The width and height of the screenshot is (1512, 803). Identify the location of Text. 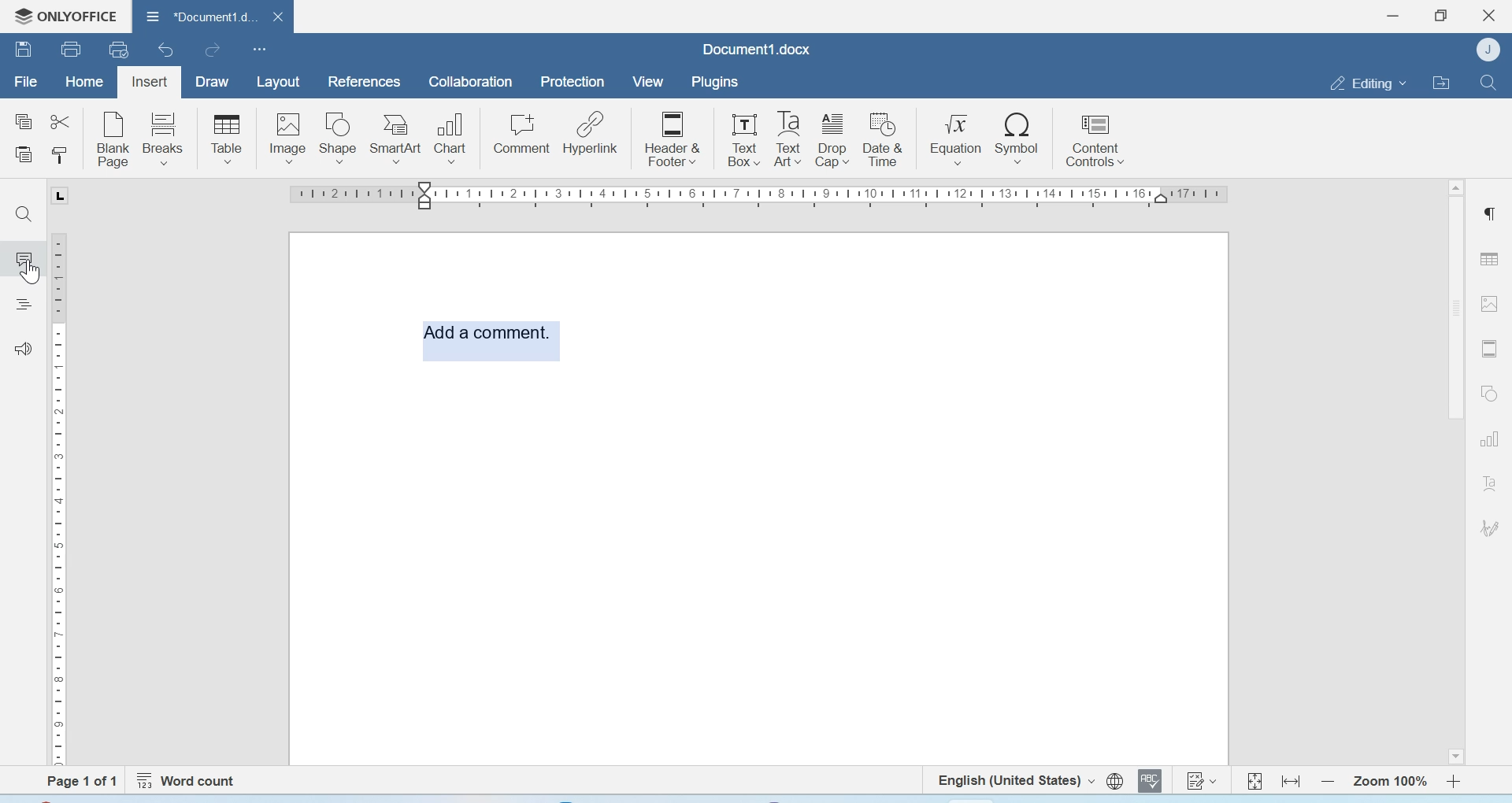
(1490, 483).